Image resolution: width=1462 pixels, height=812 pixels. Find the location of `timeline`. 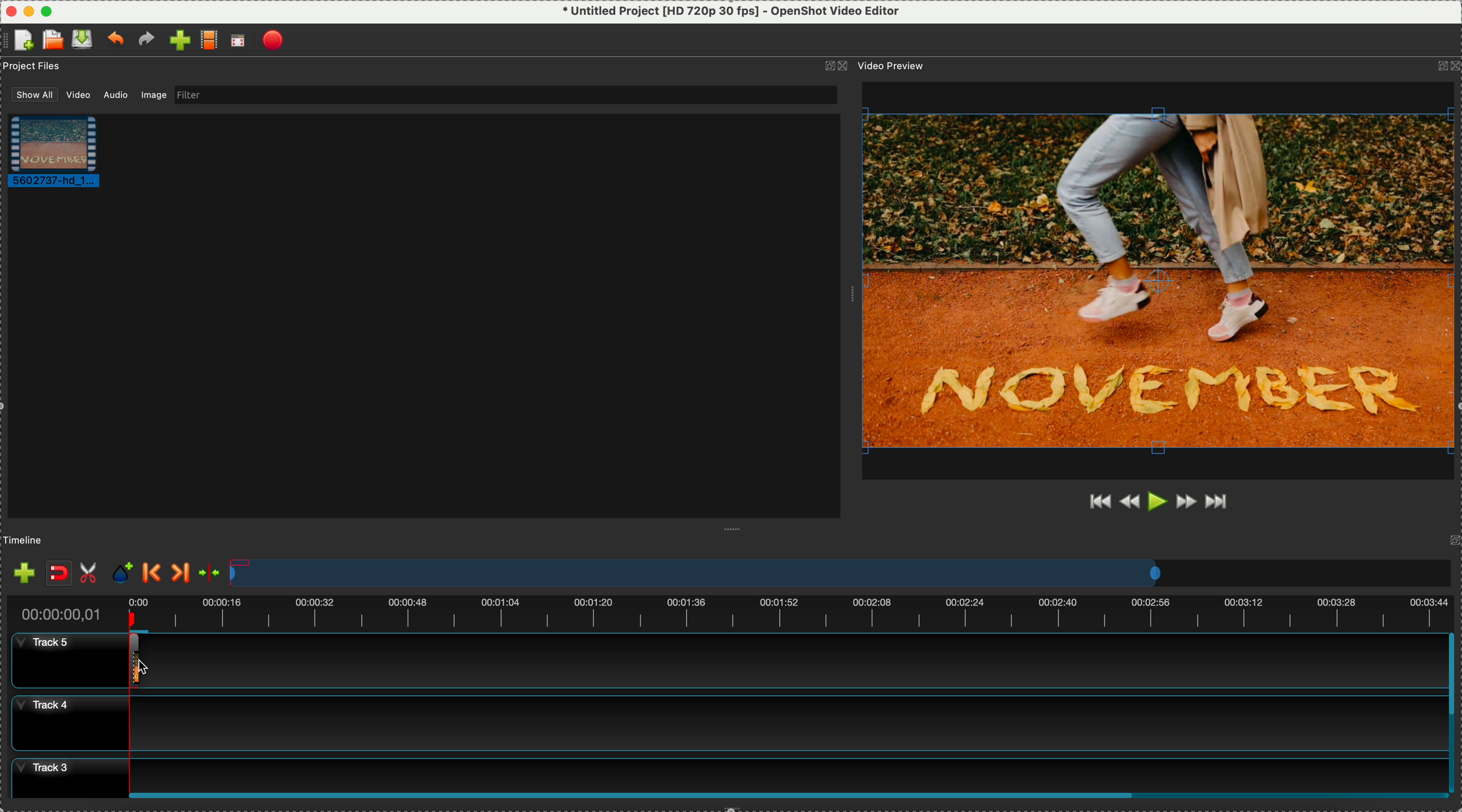

timeline is located at coordinates (839, 573).